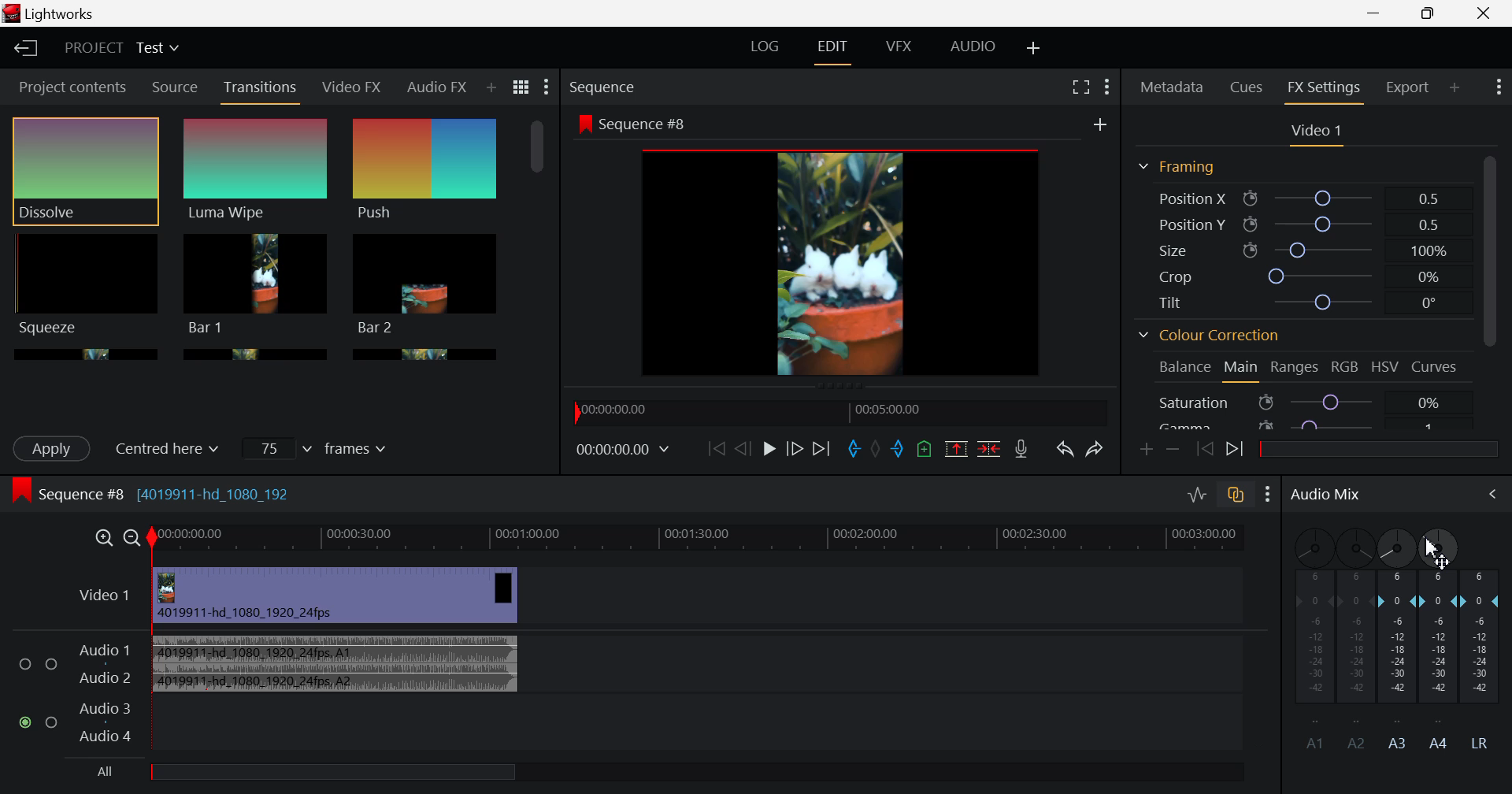 This screenshot has height=794, width=1512. I want to click on HSV, so click(1385, 369).